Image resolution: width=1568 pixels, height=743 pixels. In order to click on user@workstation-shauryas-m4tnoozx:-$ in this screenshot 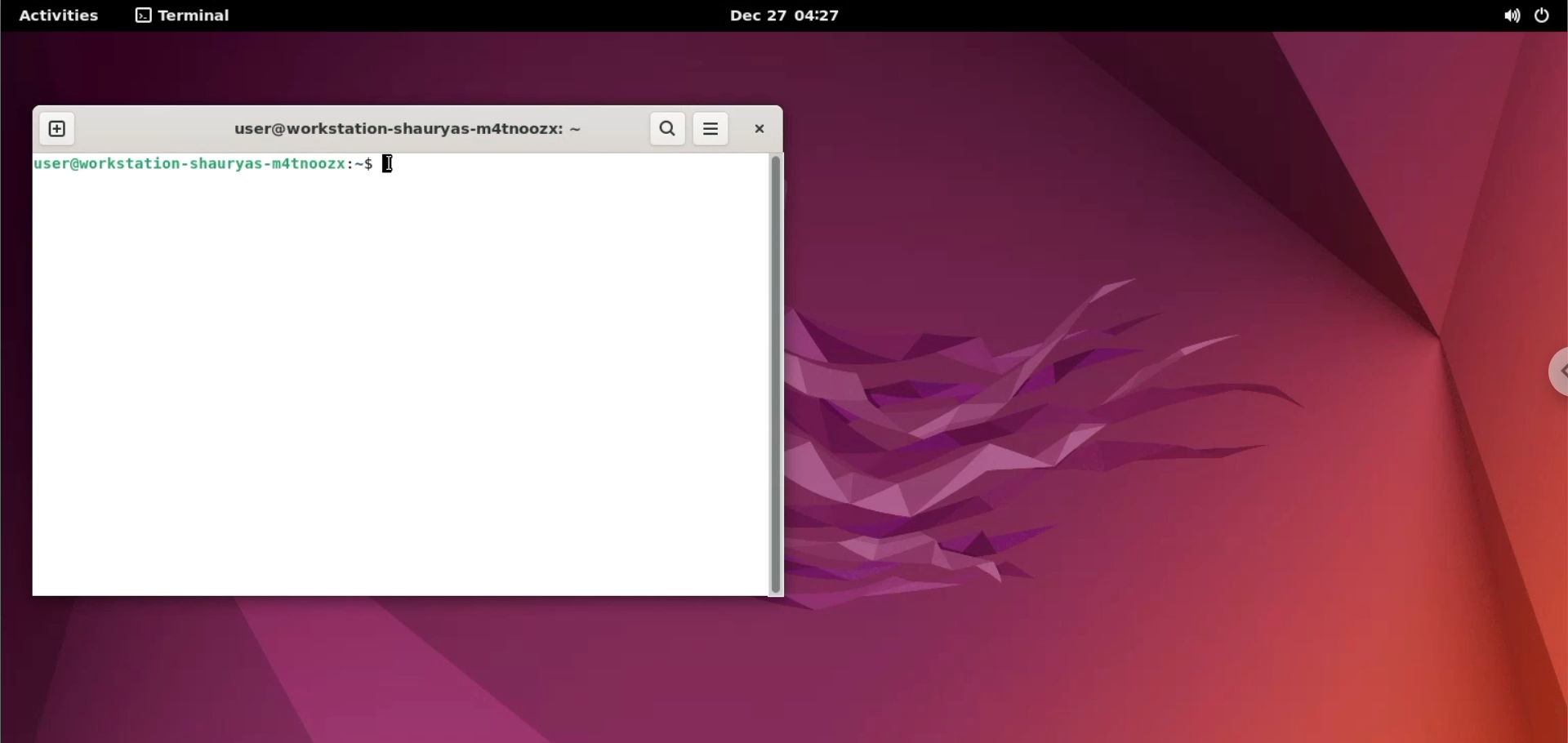, I will do `click(203, 164)`.